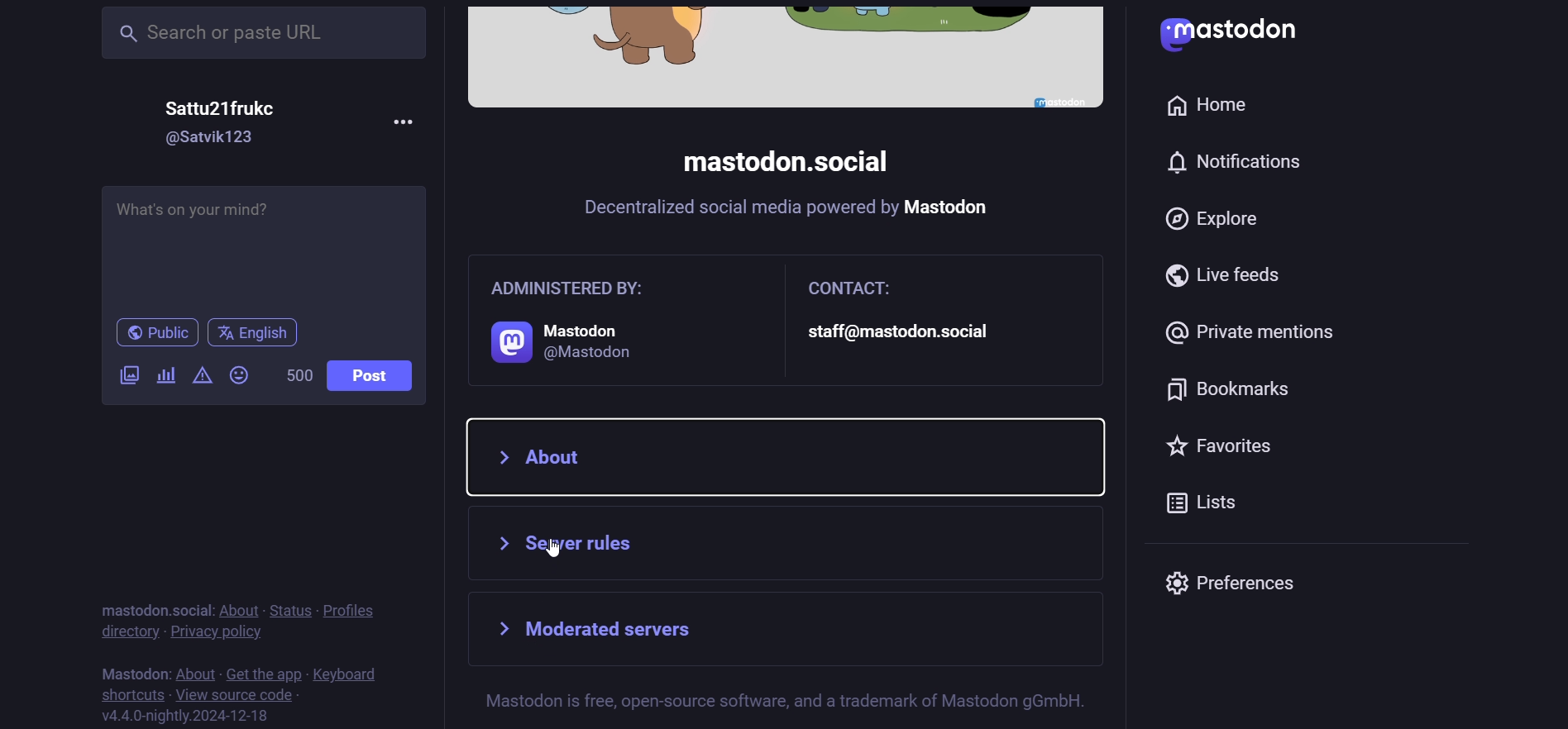  What do you see at coordinates (554, 550) in the screenshot?
I see `pointer` at bounding box center [554, 550].